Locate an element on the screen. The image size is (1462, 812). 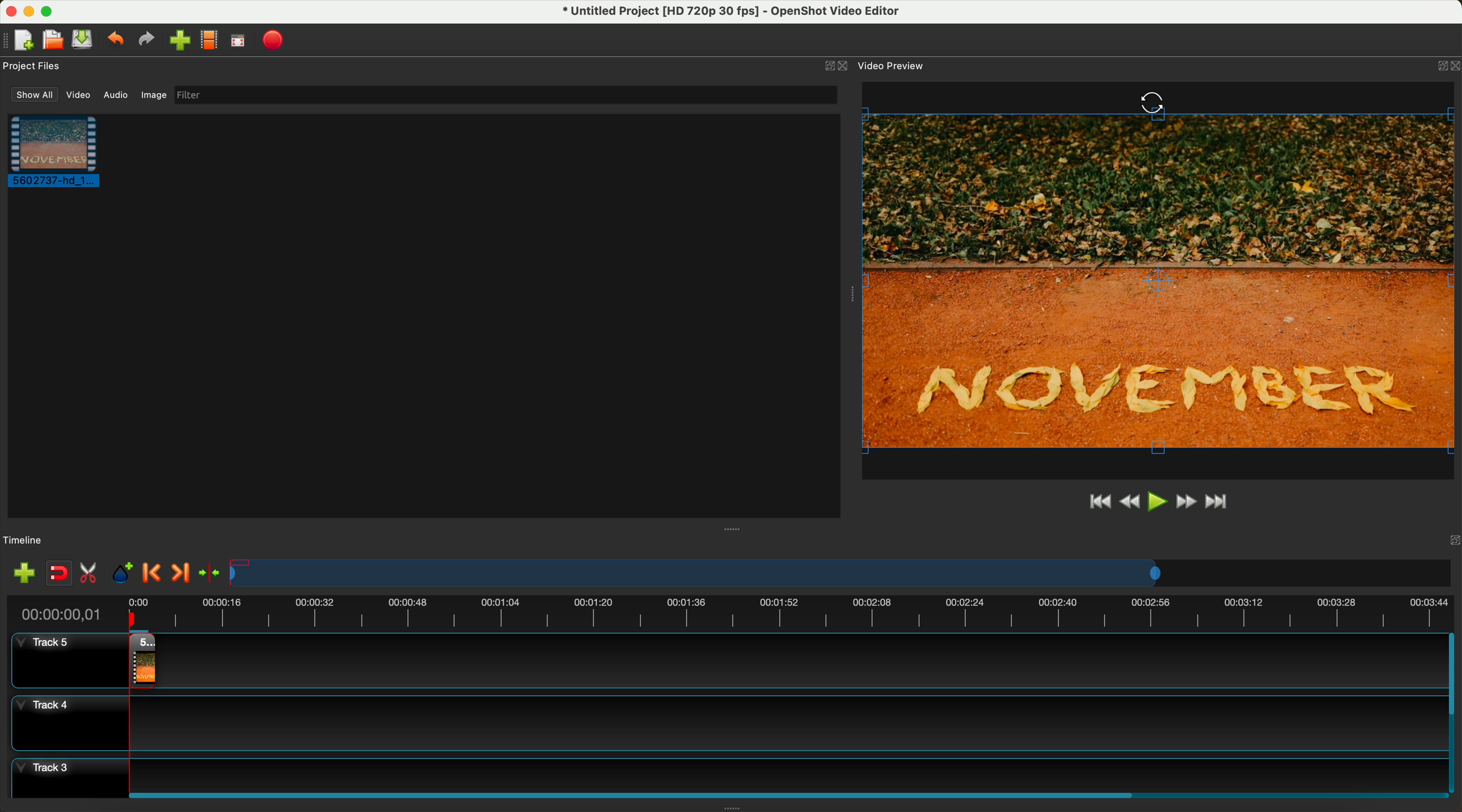
next marker is located at coordinates (184, 570).